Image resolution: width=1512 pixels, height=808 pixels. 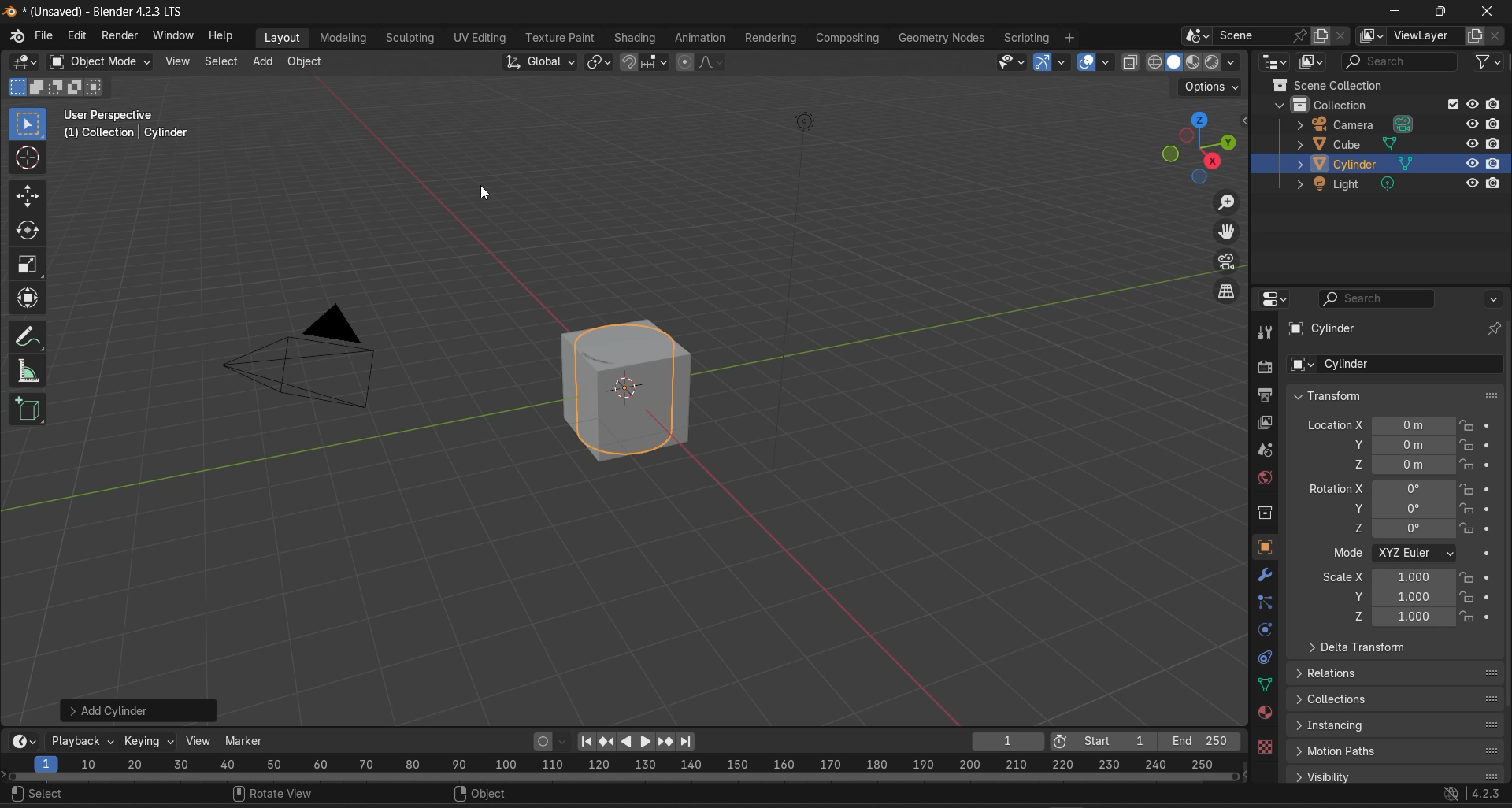 I want to click on transformation orientation, so click(x=541, y=61).